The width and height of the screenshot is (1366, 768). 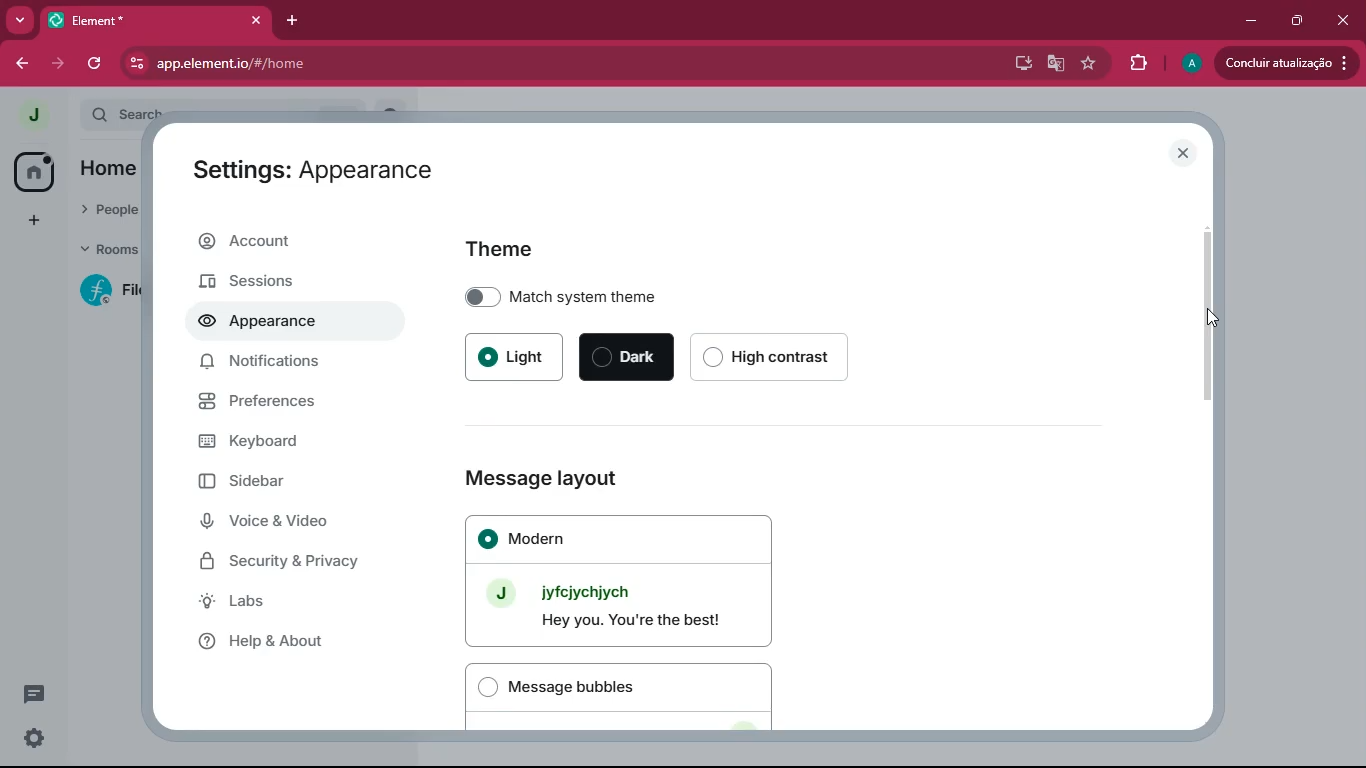 I want to click on message bubbles, so click(x=620, y=694).